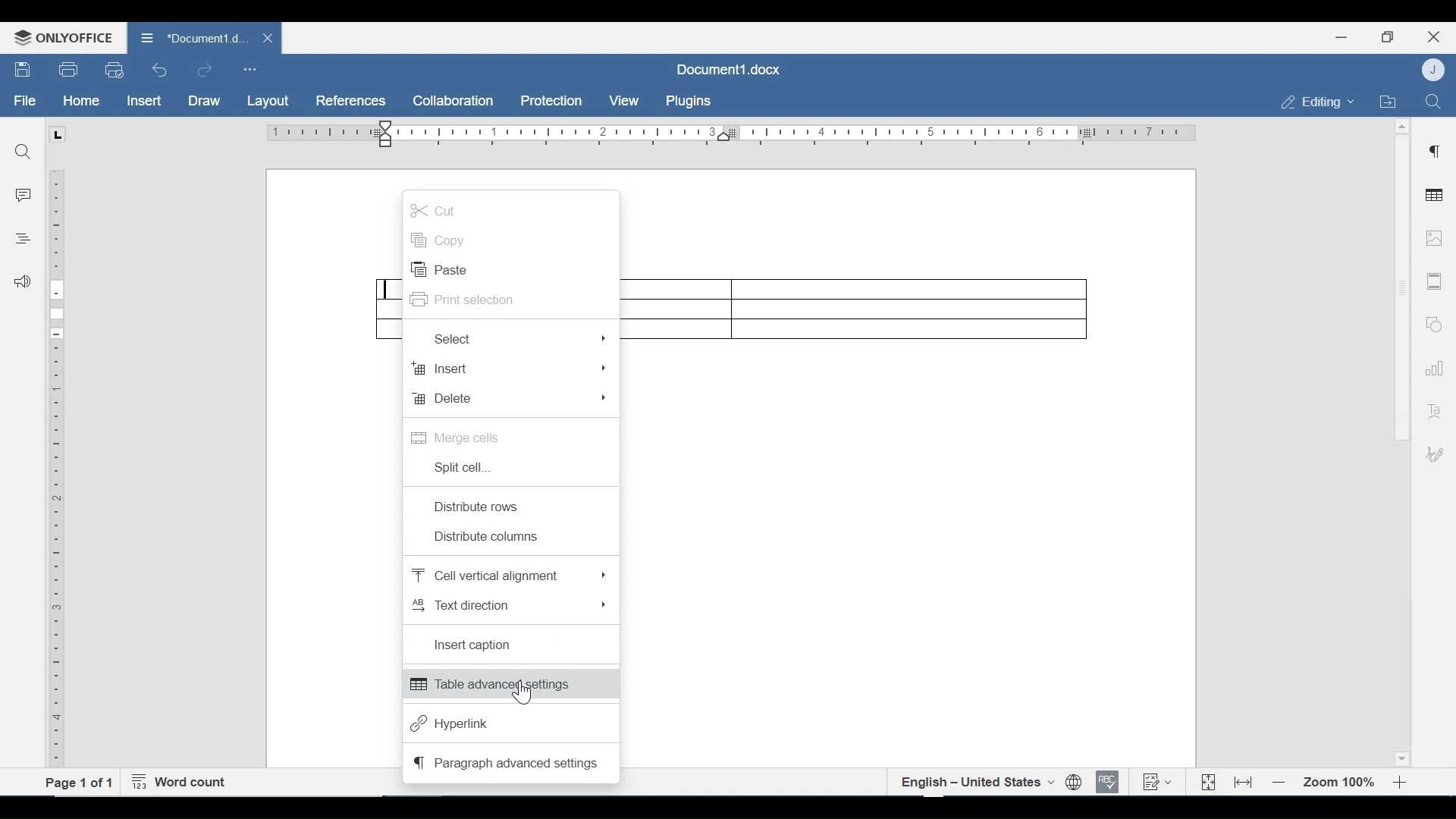 This screenshot has width=1456, height=819. I want to click on Scroll down, so click(1401, 757).